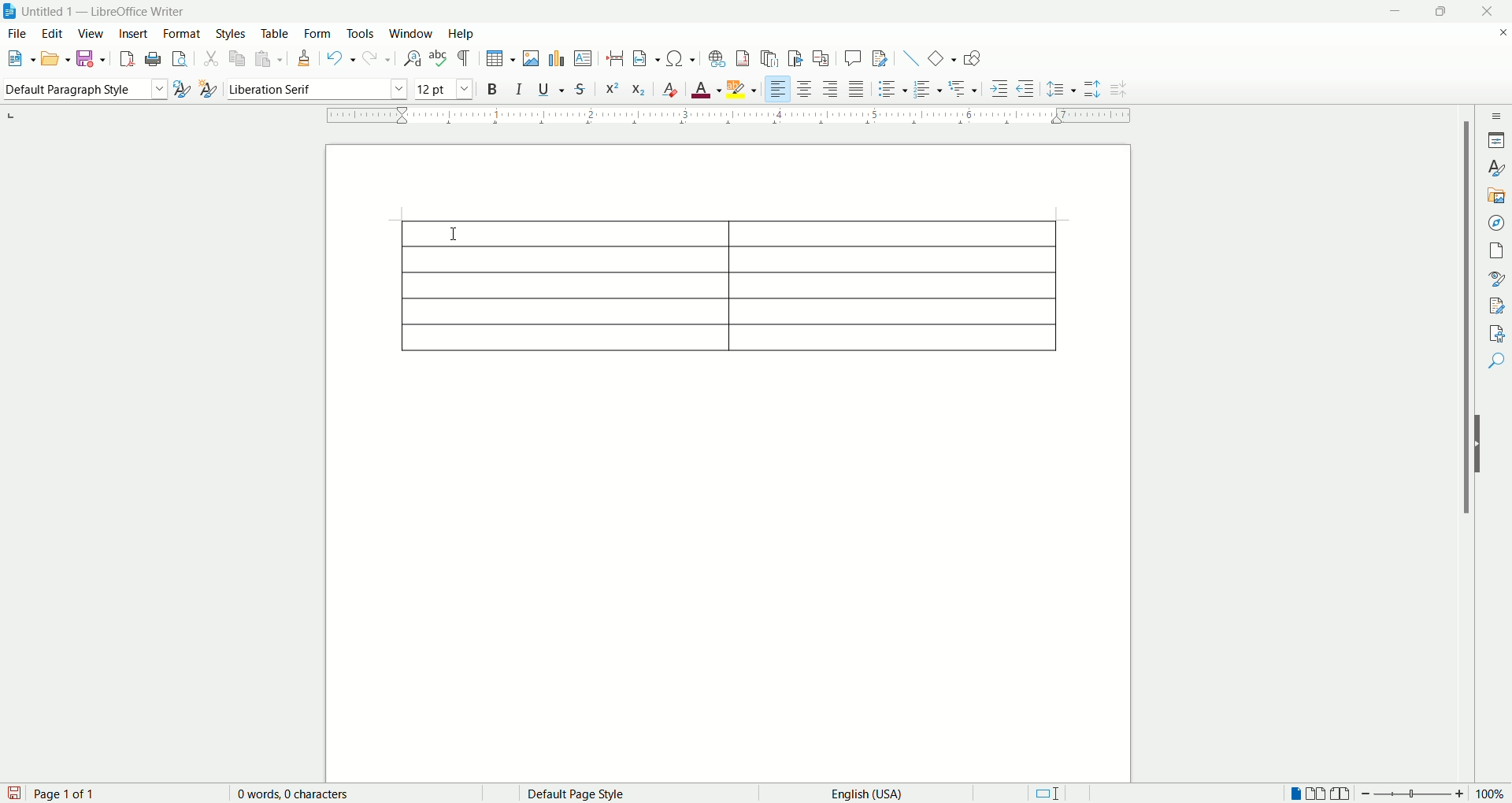  What do you see at coordinates (1443, 12) in the screenshot?
I see `maximize` at bounding box center [1443, 12].